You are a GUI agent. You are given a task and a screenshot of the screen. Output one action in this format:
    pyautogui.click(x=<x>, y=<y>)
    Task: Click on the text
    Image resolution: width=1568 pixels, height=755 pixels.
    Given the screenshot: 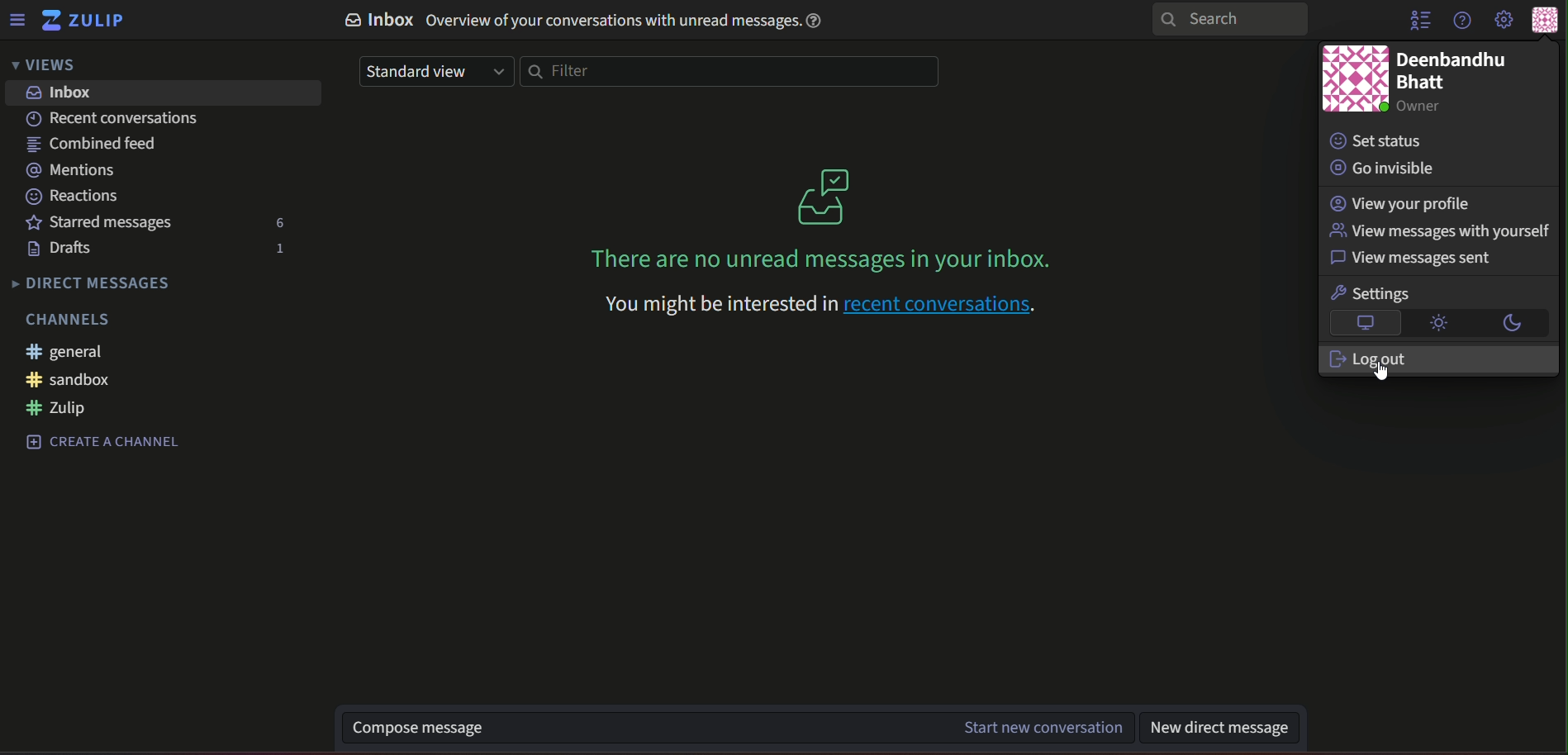 What is the action you would take?
    pyautogui.click(x=1412, y=202)
    